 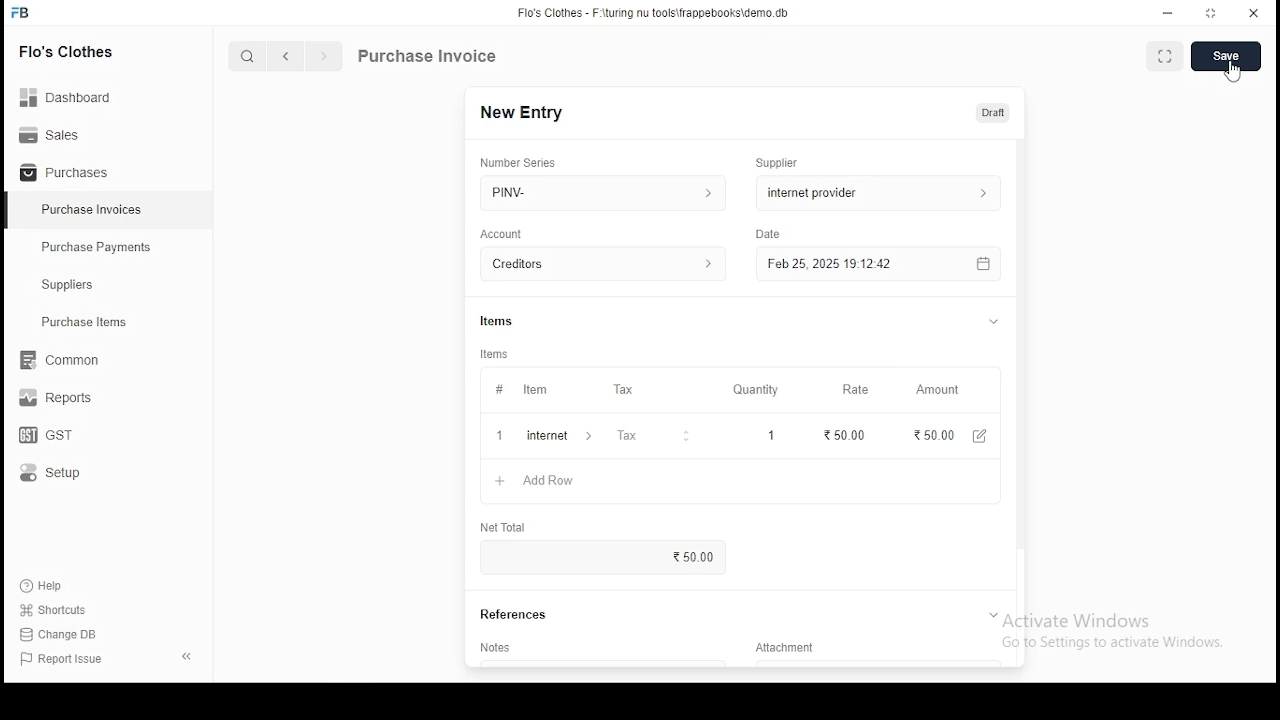 What do you see at coordinates (72, 285) in the screenshot?
I see `Suppliers` at bounding box center [72, 285].